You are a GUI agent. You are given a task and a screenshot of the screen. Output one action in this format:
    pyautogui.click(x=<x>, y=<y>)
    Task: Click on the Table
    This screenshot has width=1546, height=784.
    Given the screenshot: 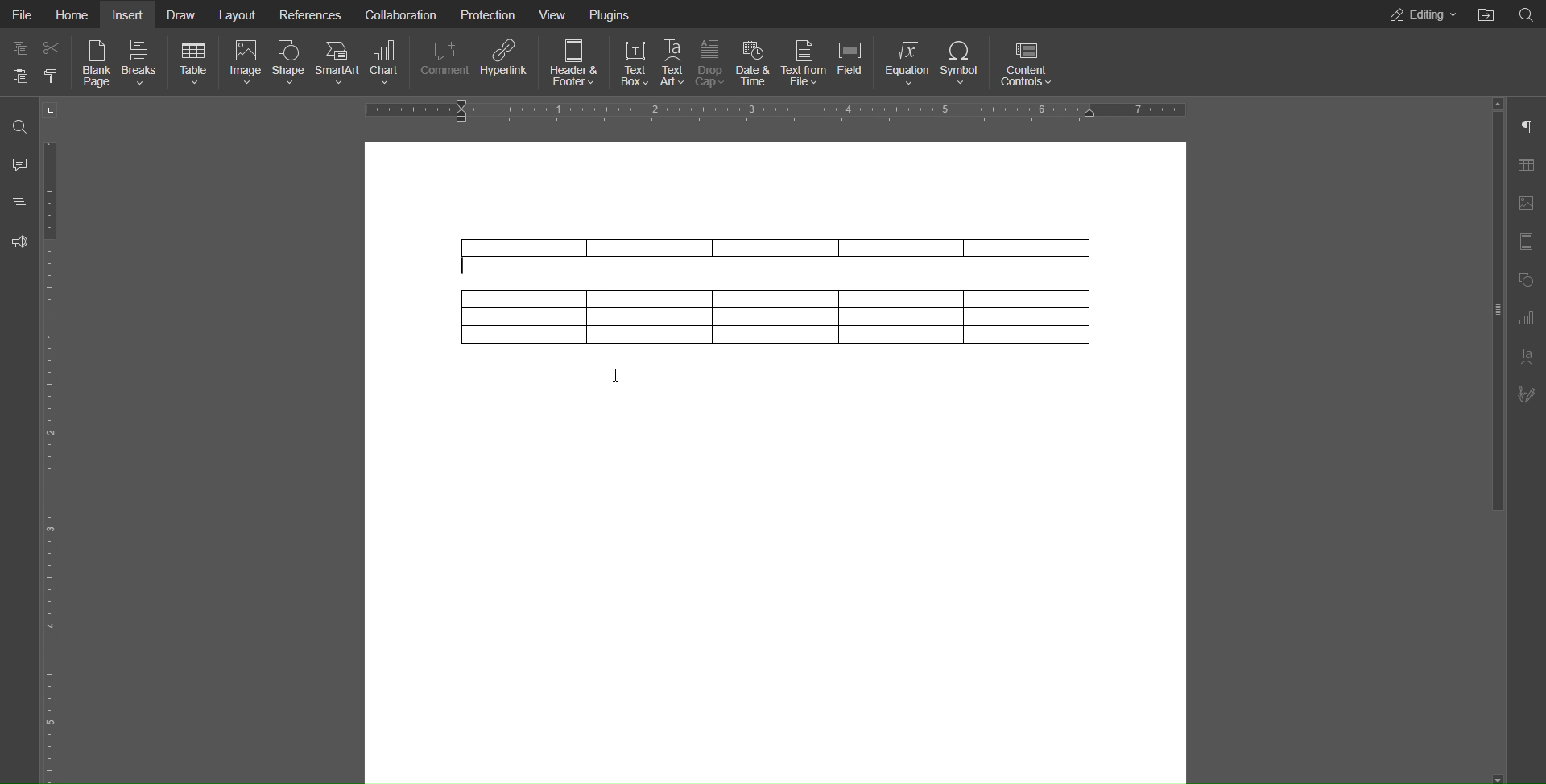 What is the action you would take?
    pyautogui.click(x=195, y=64)
    